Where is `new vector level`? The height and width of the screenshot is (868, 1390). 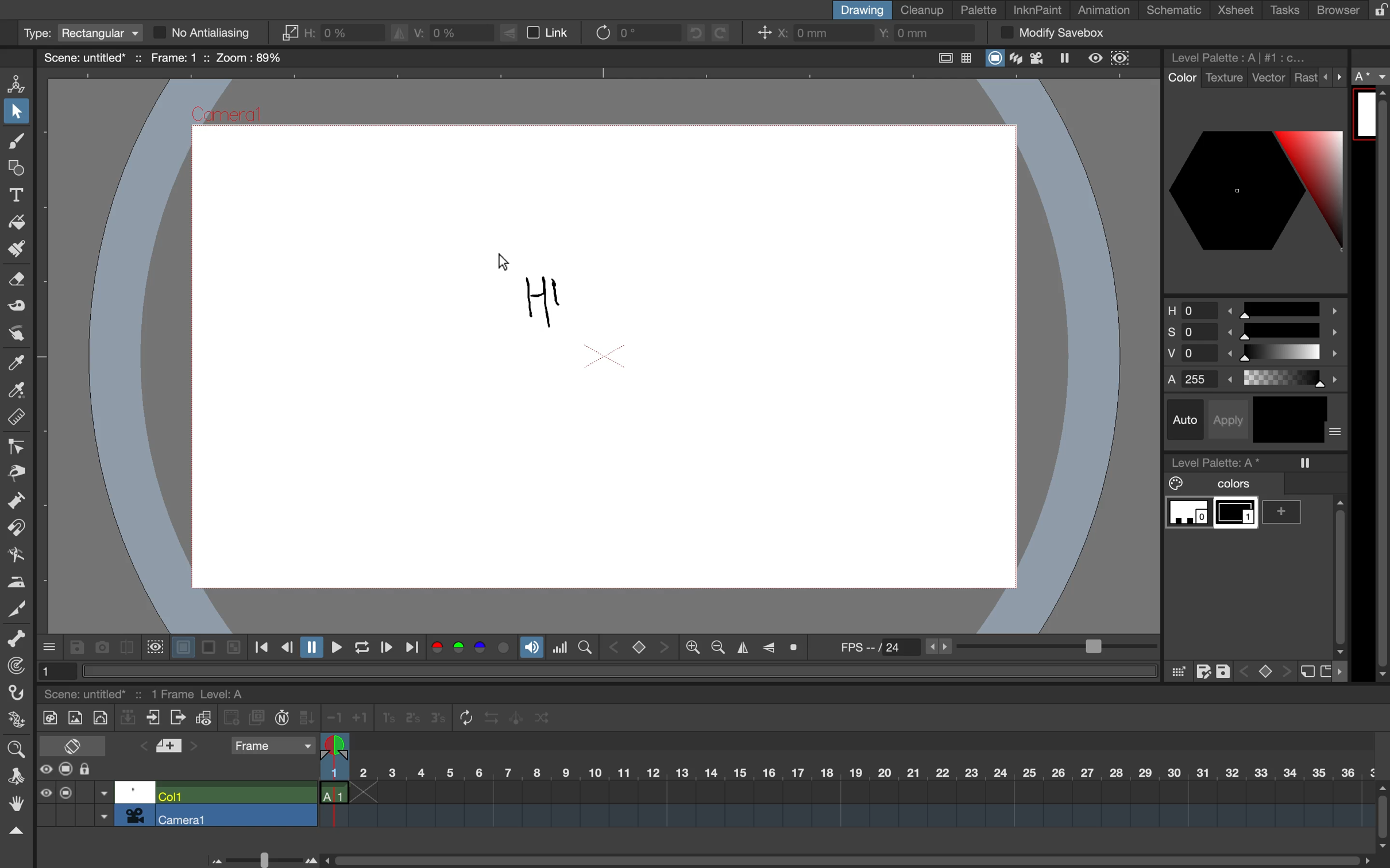 new vector level is located at coordinates (100, 716).